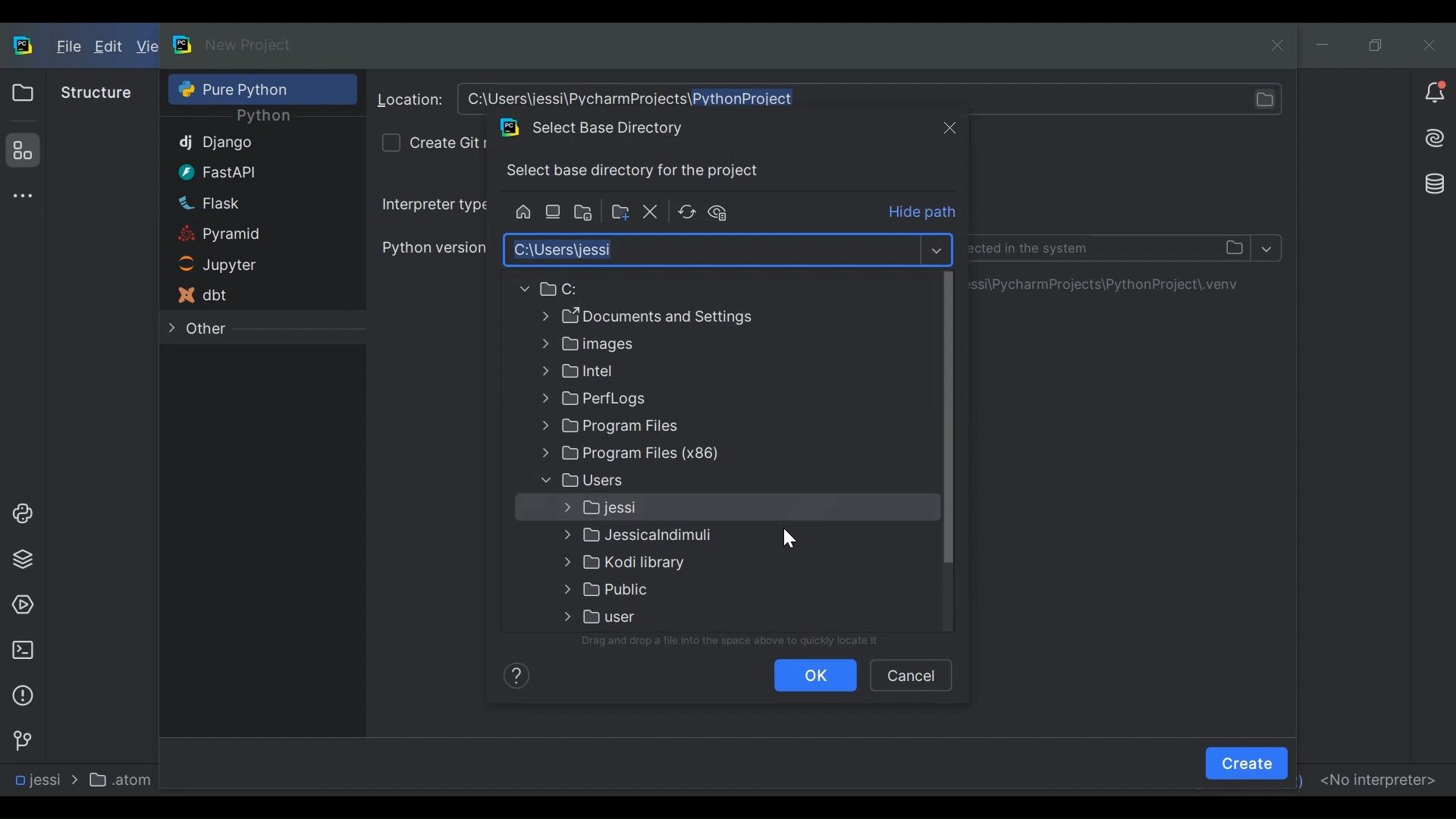  I want to click on , so click(661, 508).